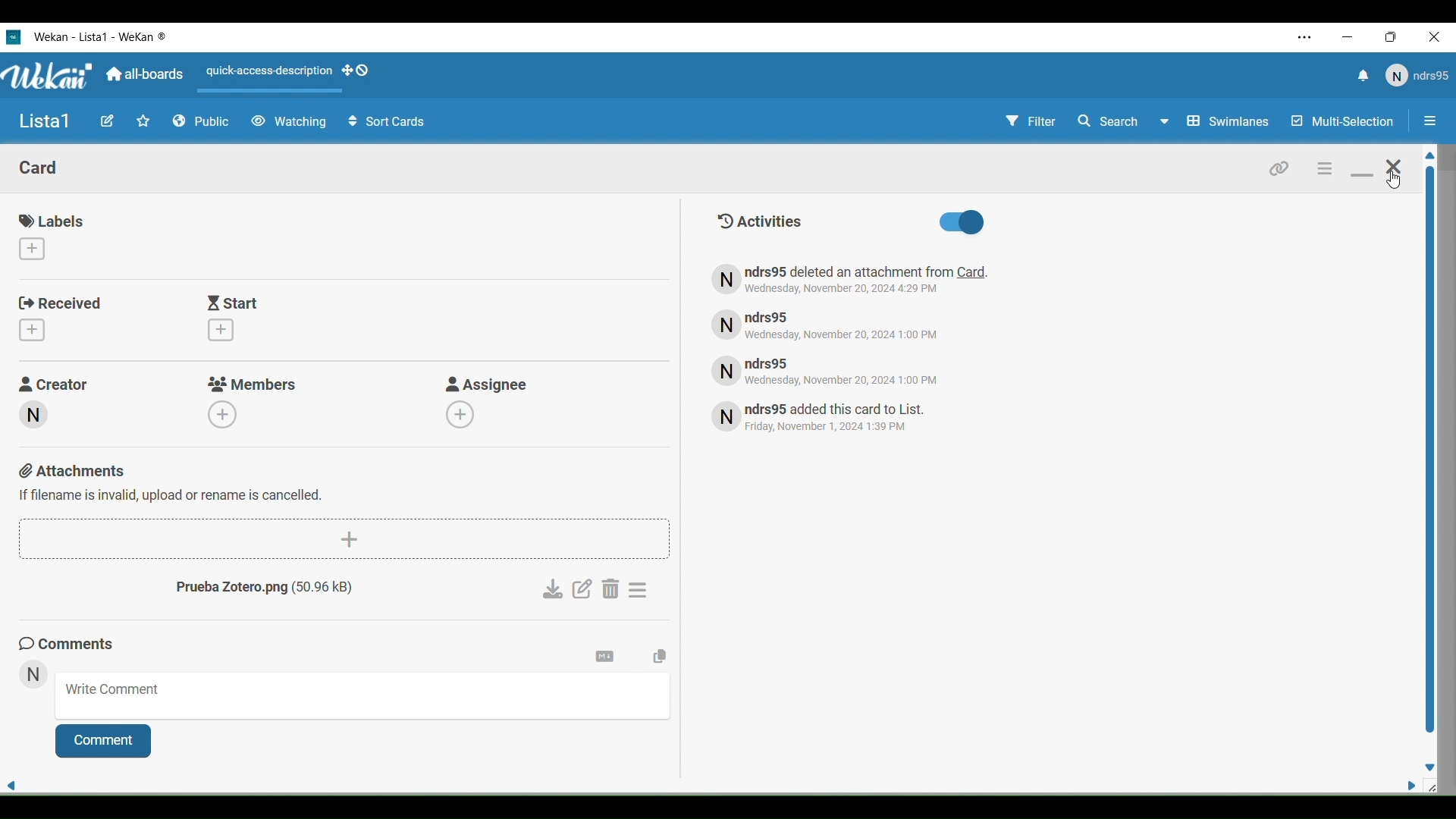  What do you see at coordinates (341, 696) in the screenshot?
I see `Write coment` at bounding box center [341, 696].